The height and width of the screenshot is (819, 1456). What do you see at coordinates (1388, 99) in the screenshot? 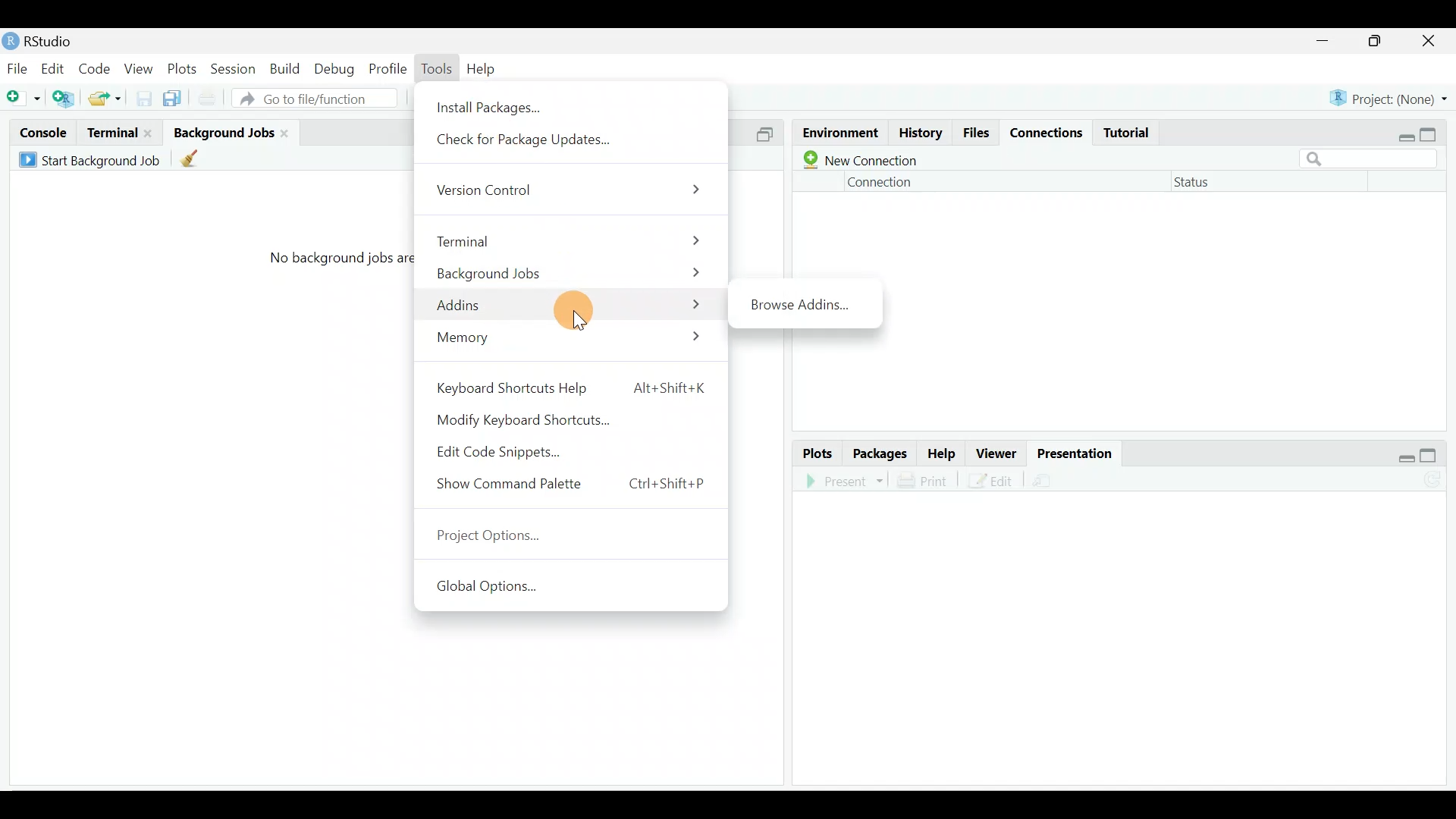
I see `Project (None)` at bounding box center [1388, 99].